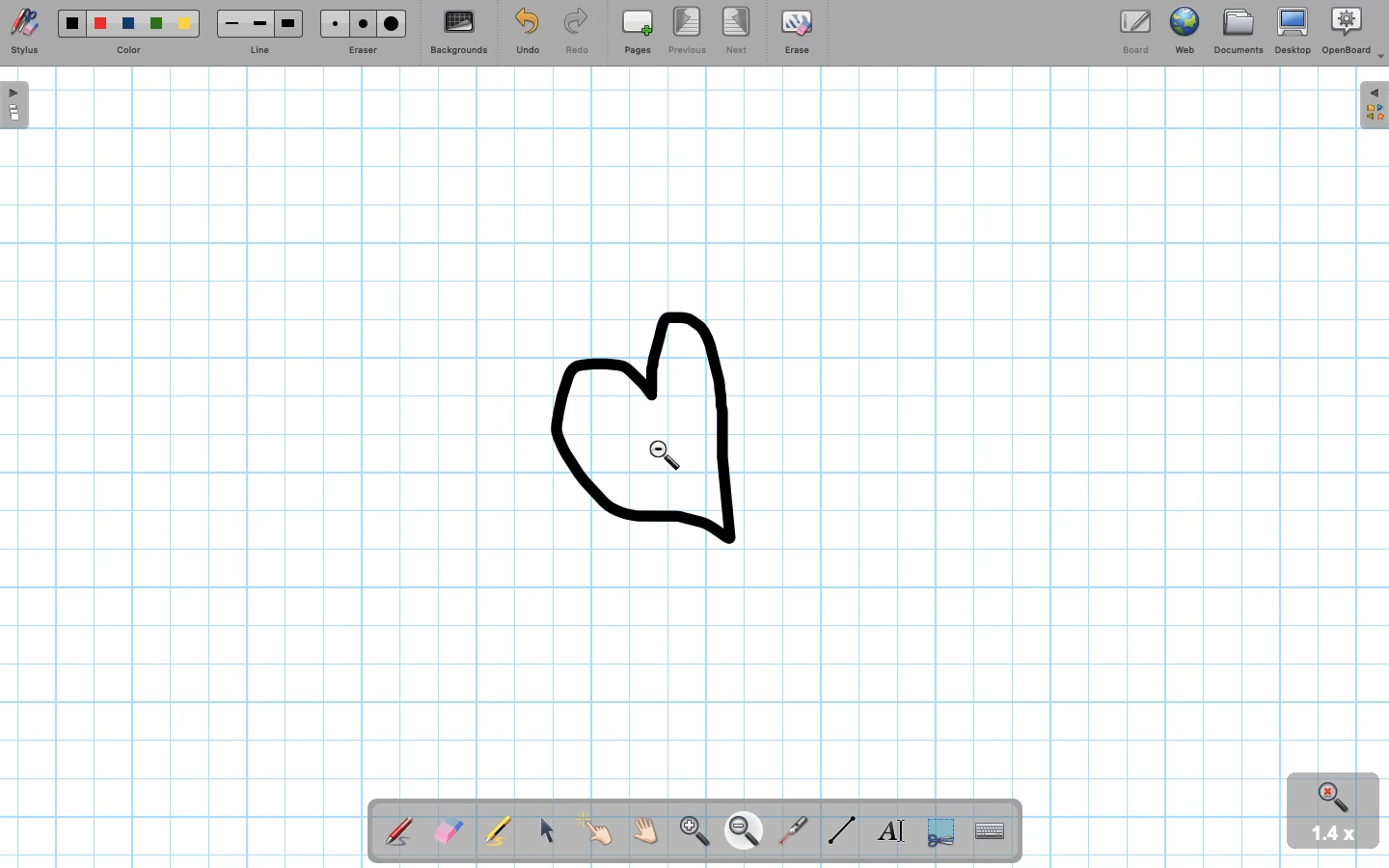  Describe the element at coordinates (26, 32) in the screenshot. I see `Stylus` at that location.